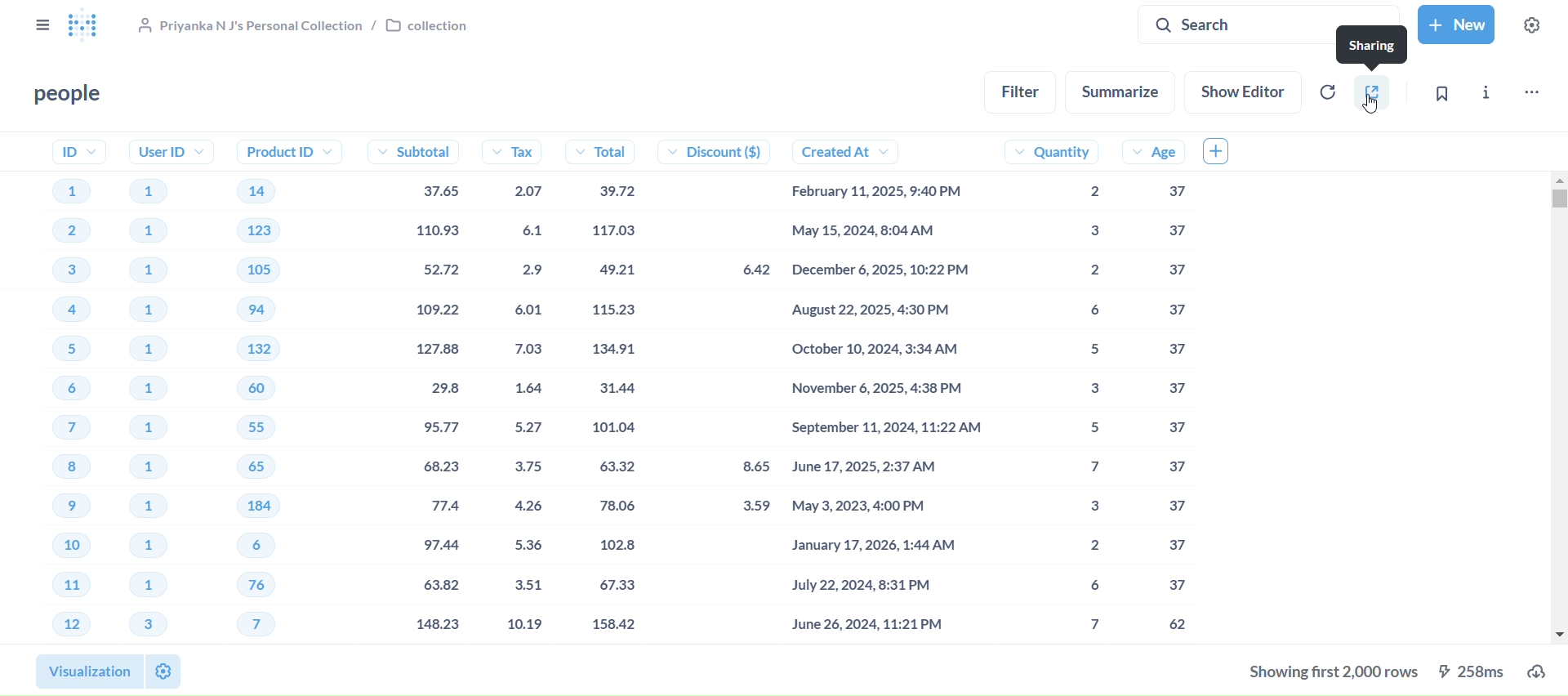 This screenshot has height=696, width=1568. What do you see at coordinates (1372, 103) in the screenshot?
I see `cursor` at bounding box center [1372, 103].